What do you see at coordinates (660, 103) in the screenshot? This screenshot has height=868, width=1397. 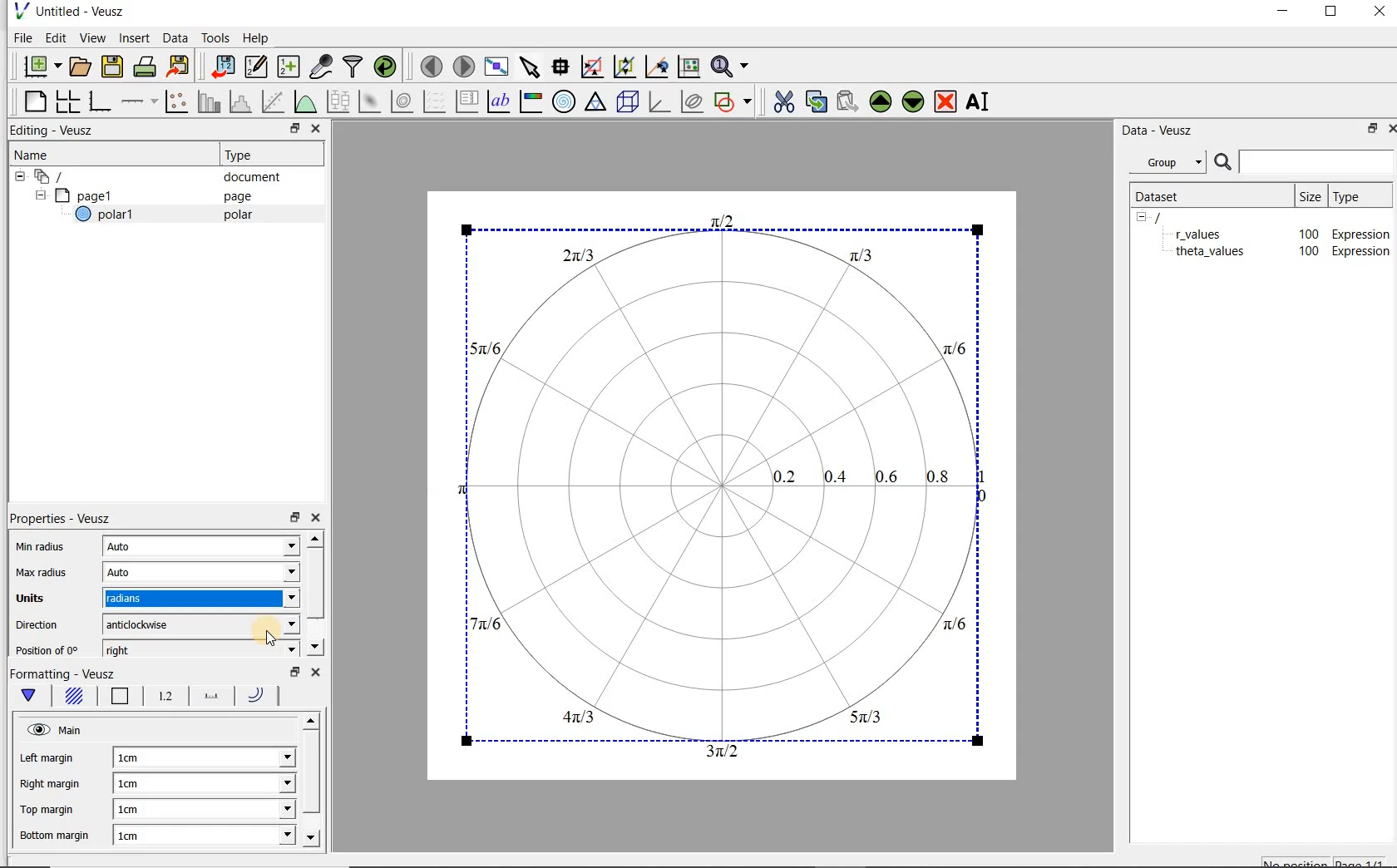 I see `3d graph` at bounding box center [660, 103].